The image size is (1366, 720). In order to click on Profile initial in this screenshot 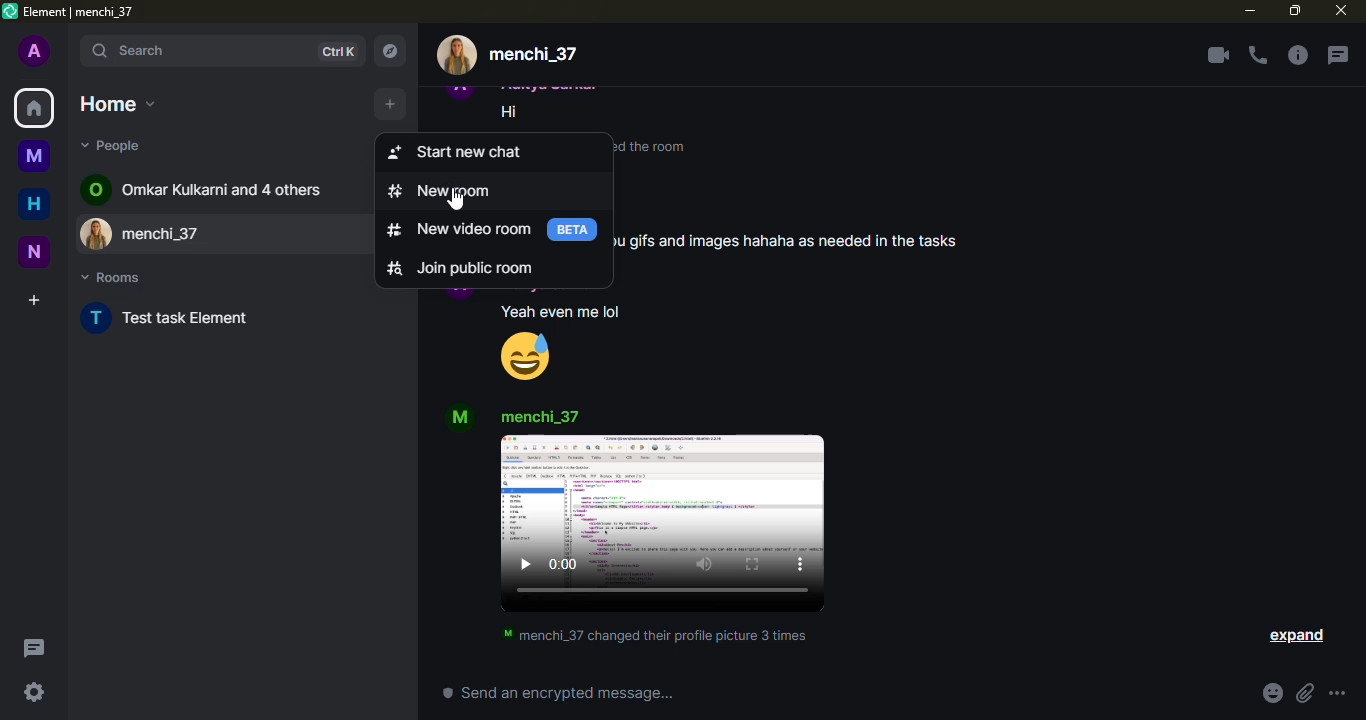, I will do `click(460, 295)`.